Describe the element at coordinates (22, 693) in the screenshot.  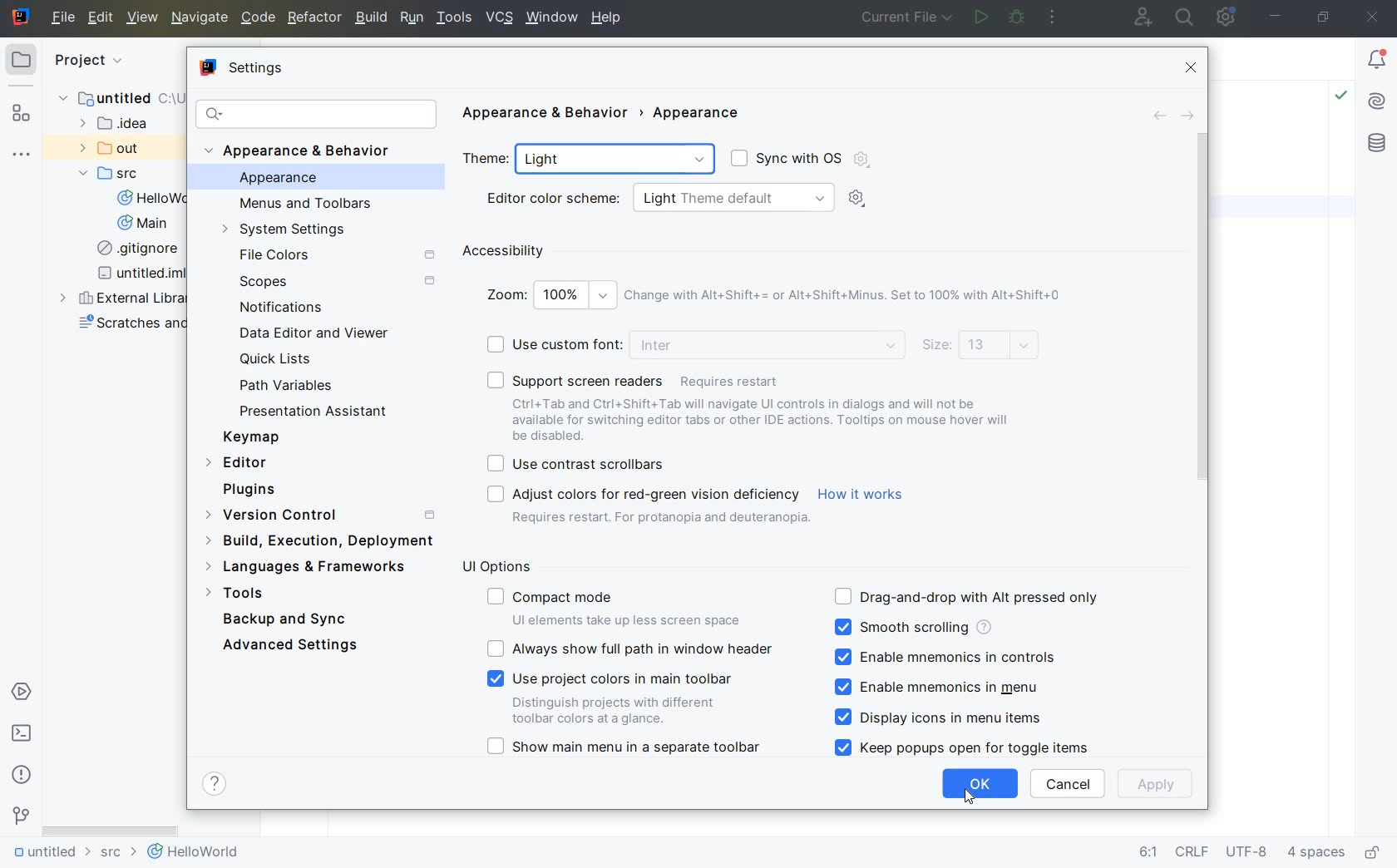
I see `SERVICES` at that location.